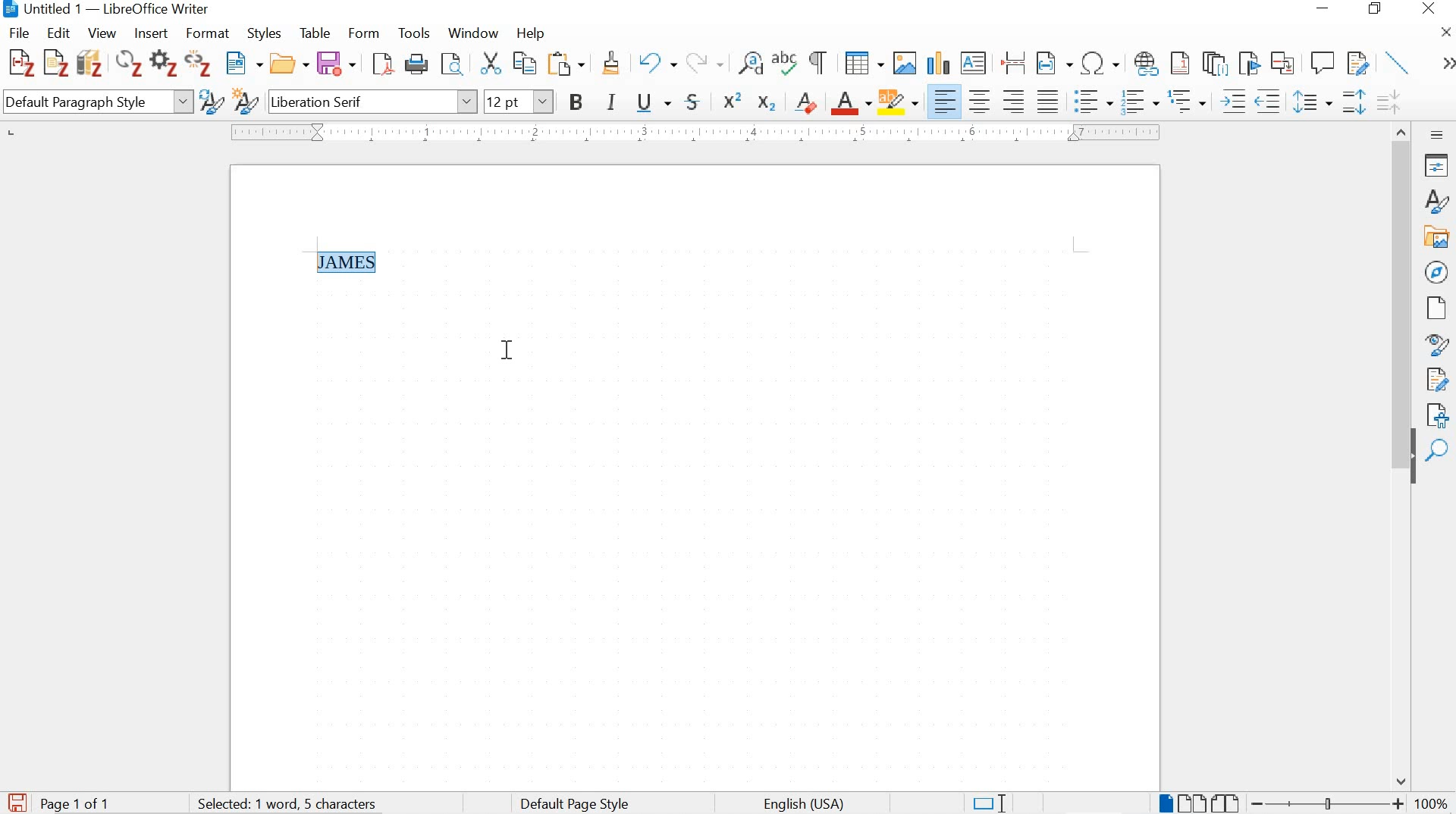 The width and height of the screenshot is (1456, 814). Describe the element at coordinates (1091, 99) in the screenshot. I see `Toggle unorder list` at that location.